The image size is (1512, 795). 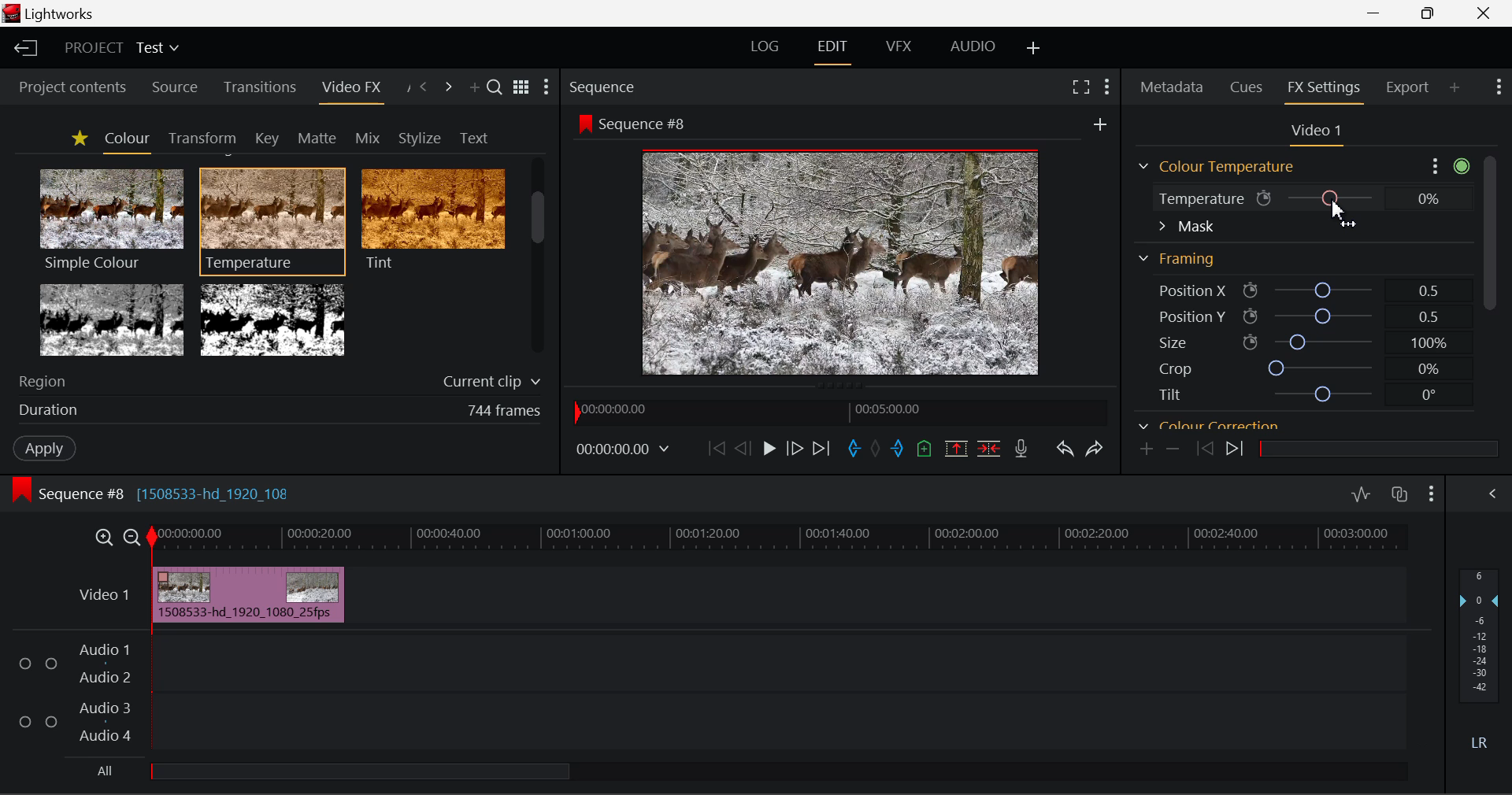 I want to click on 0°, so click(x=1430, y=395).